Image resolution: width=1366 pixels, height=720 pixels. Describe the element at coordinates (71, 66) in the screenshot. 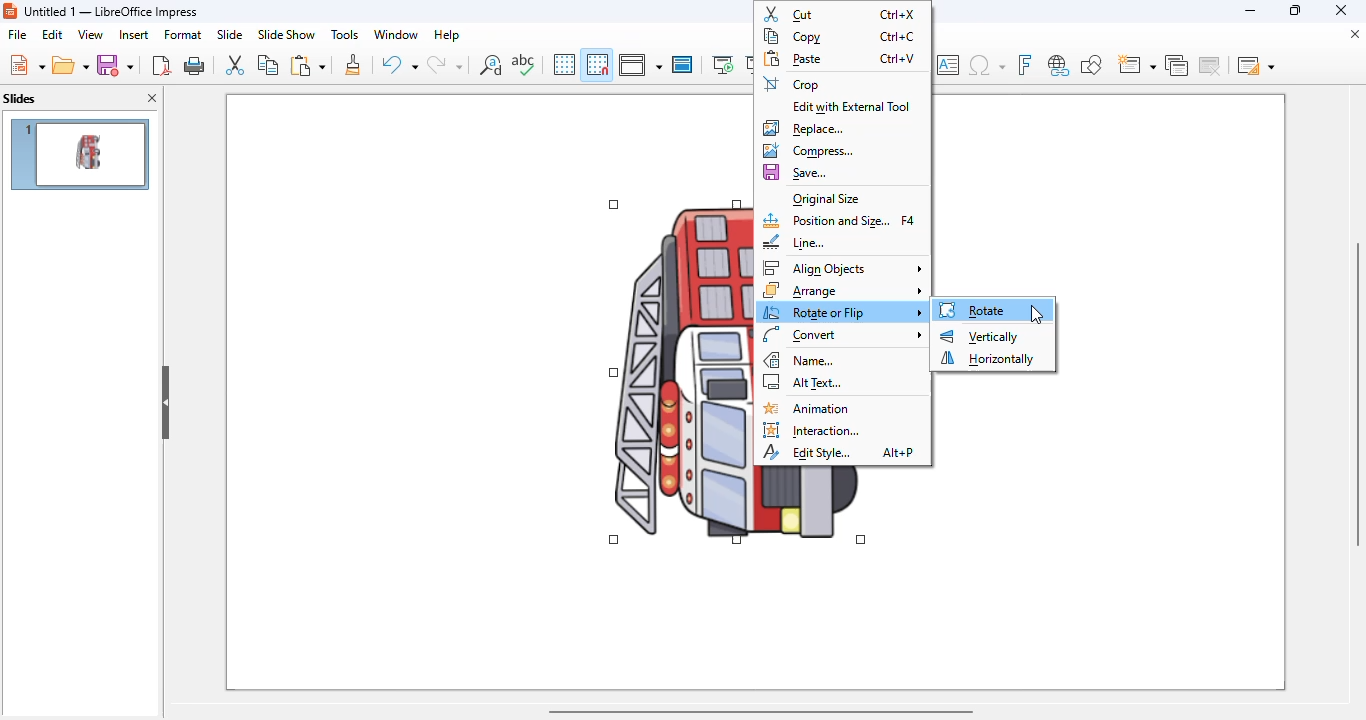

I see `open` at that location.